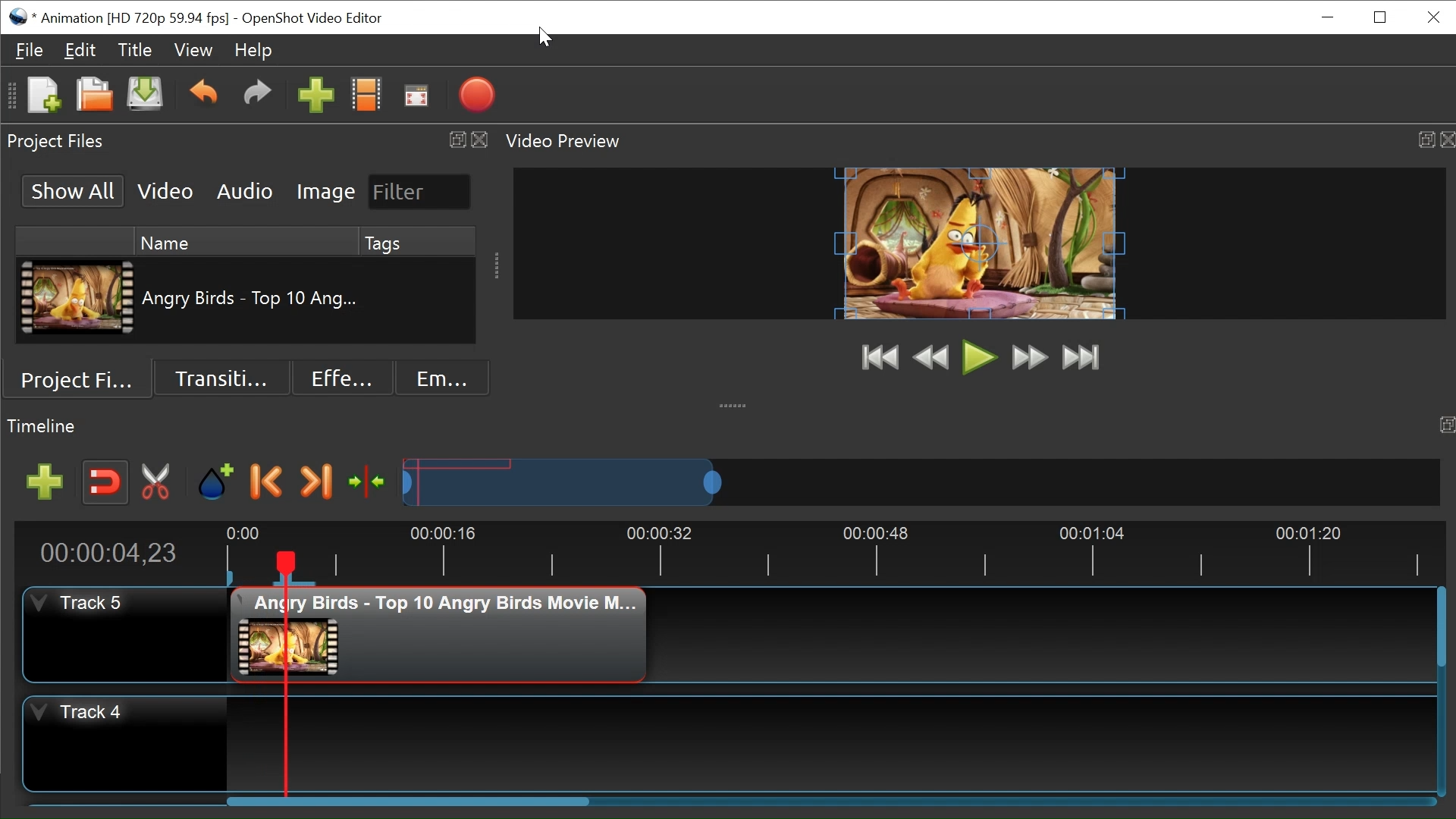  Describe the element at coordinates (367, 93) in the screenshot. I see `Choose Files` at that location.